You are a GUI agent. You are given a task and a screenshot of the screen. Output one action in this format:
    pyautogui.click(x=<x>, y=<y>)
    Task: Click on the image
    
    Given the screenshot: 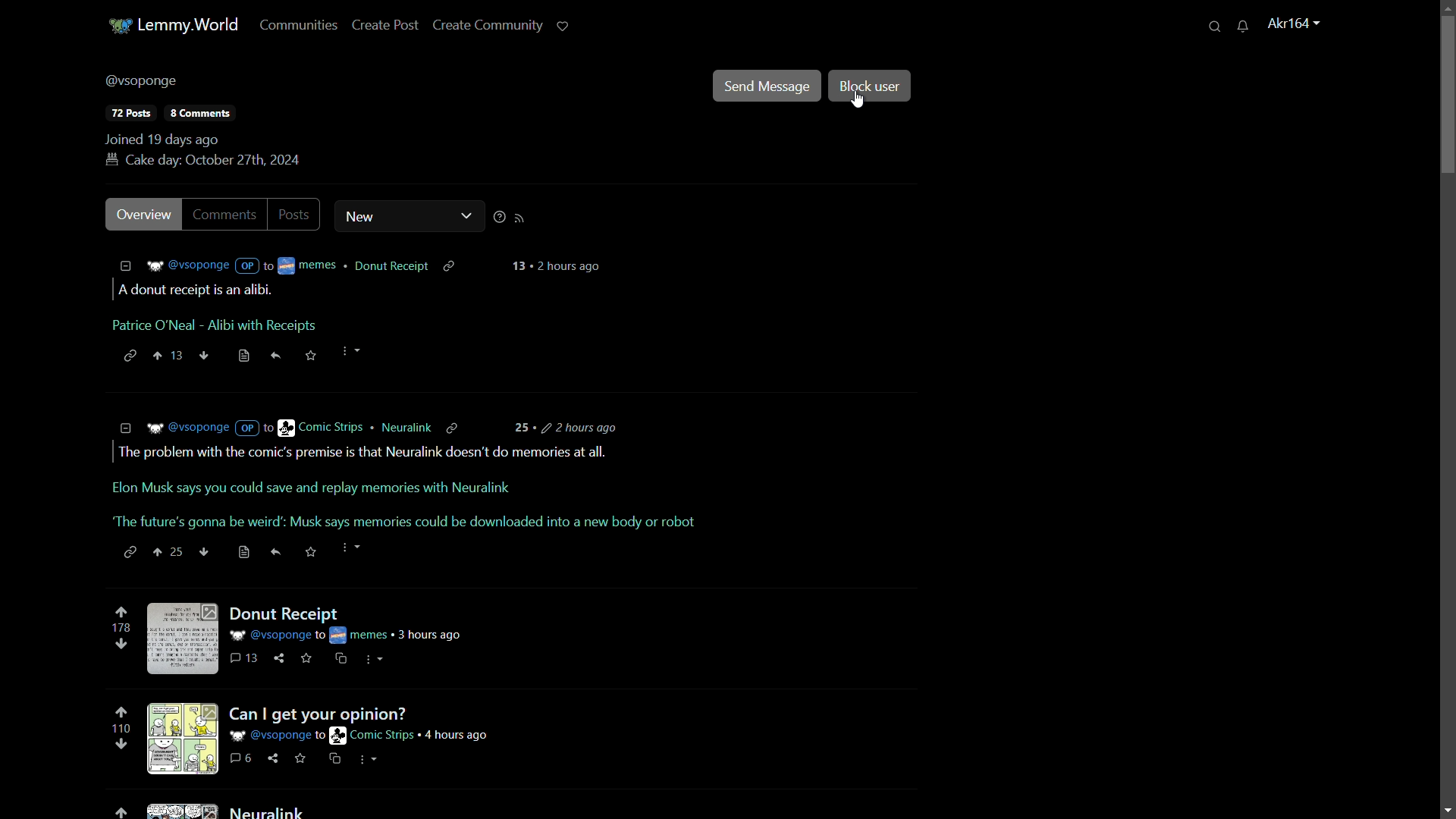 What is the action you would take?
    pyautogui.click(x=186, y=639)
    